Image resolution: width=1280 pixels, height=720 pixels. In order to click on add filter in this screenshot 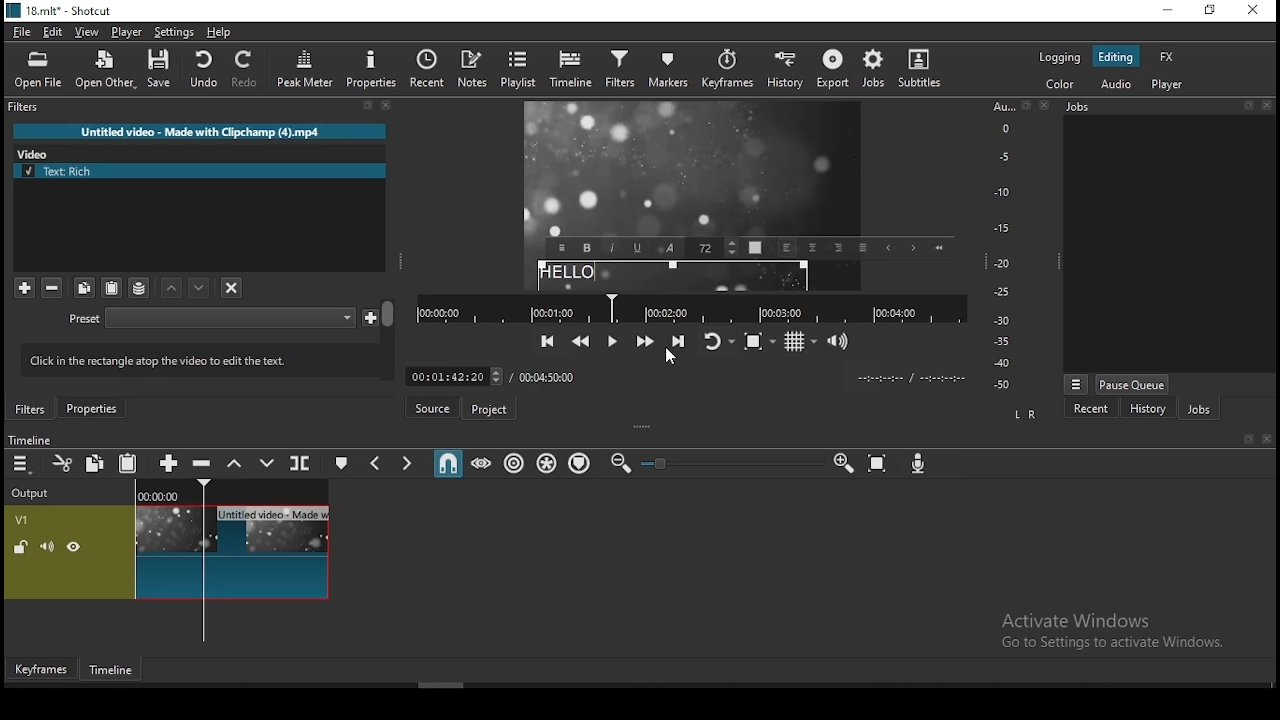, I will do `click(24, 288)`.